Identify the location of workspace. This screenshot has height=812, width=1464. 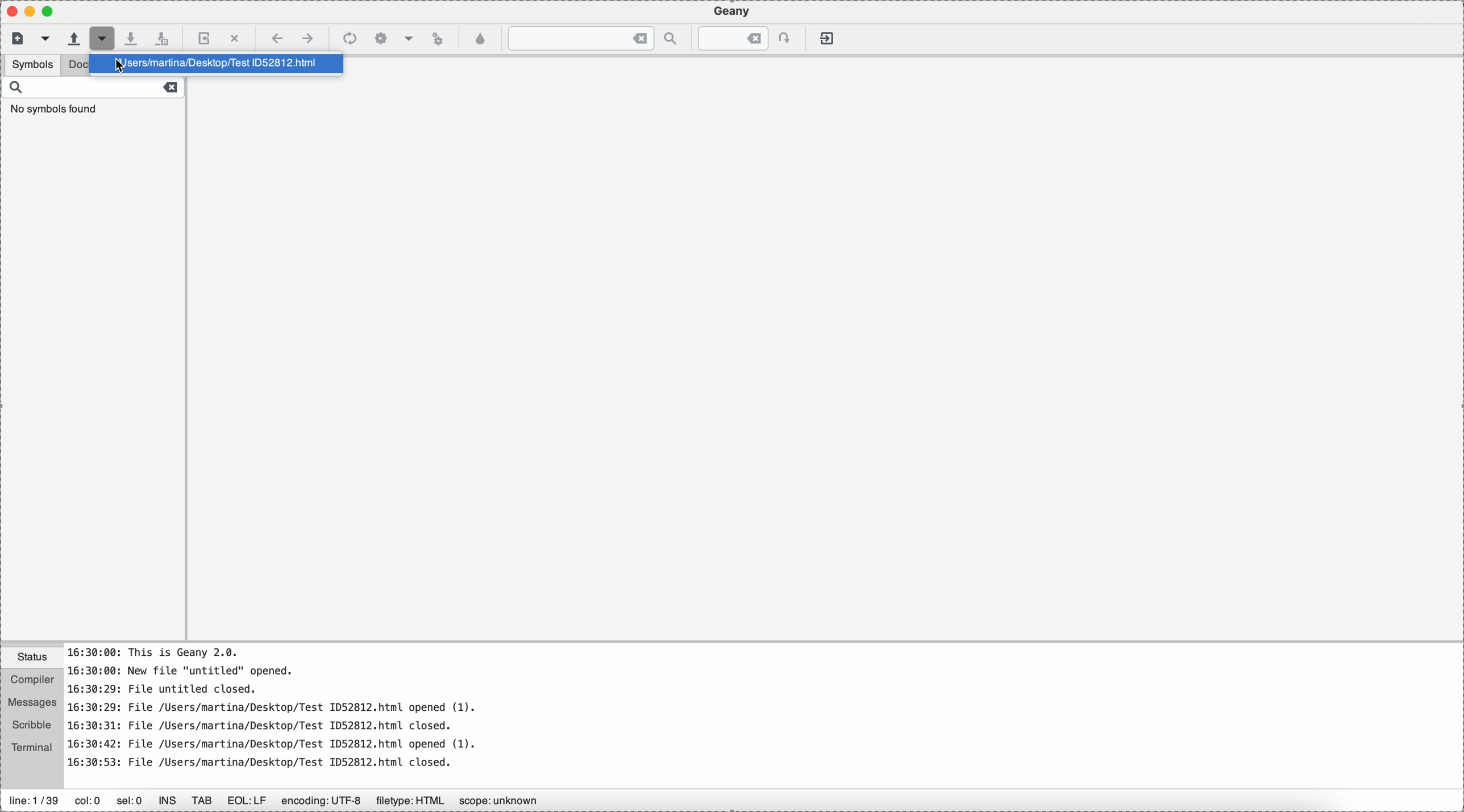
(828, 363).